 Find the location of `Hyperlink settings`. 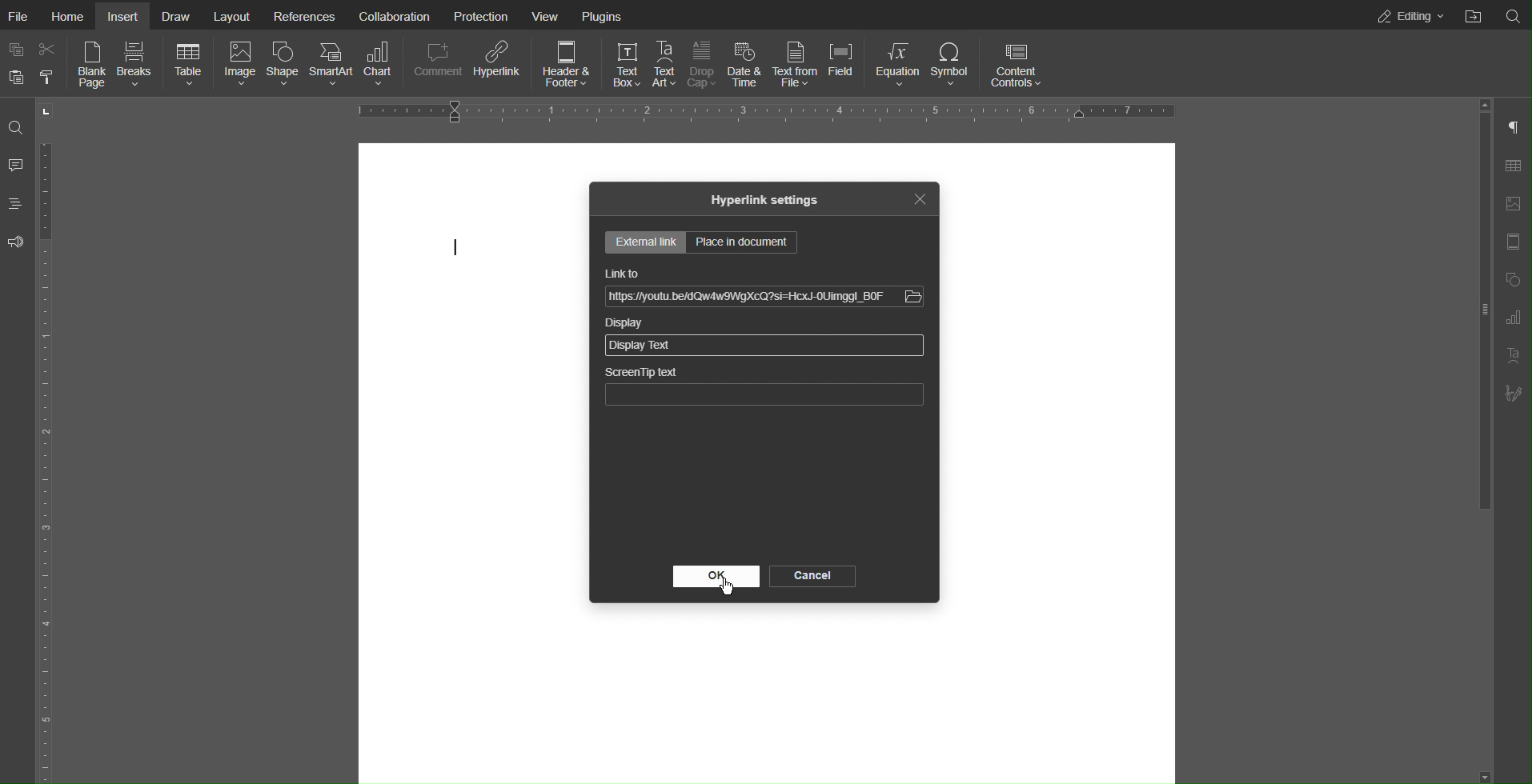

Hyperlink settings is located at coordinates (764, 201).